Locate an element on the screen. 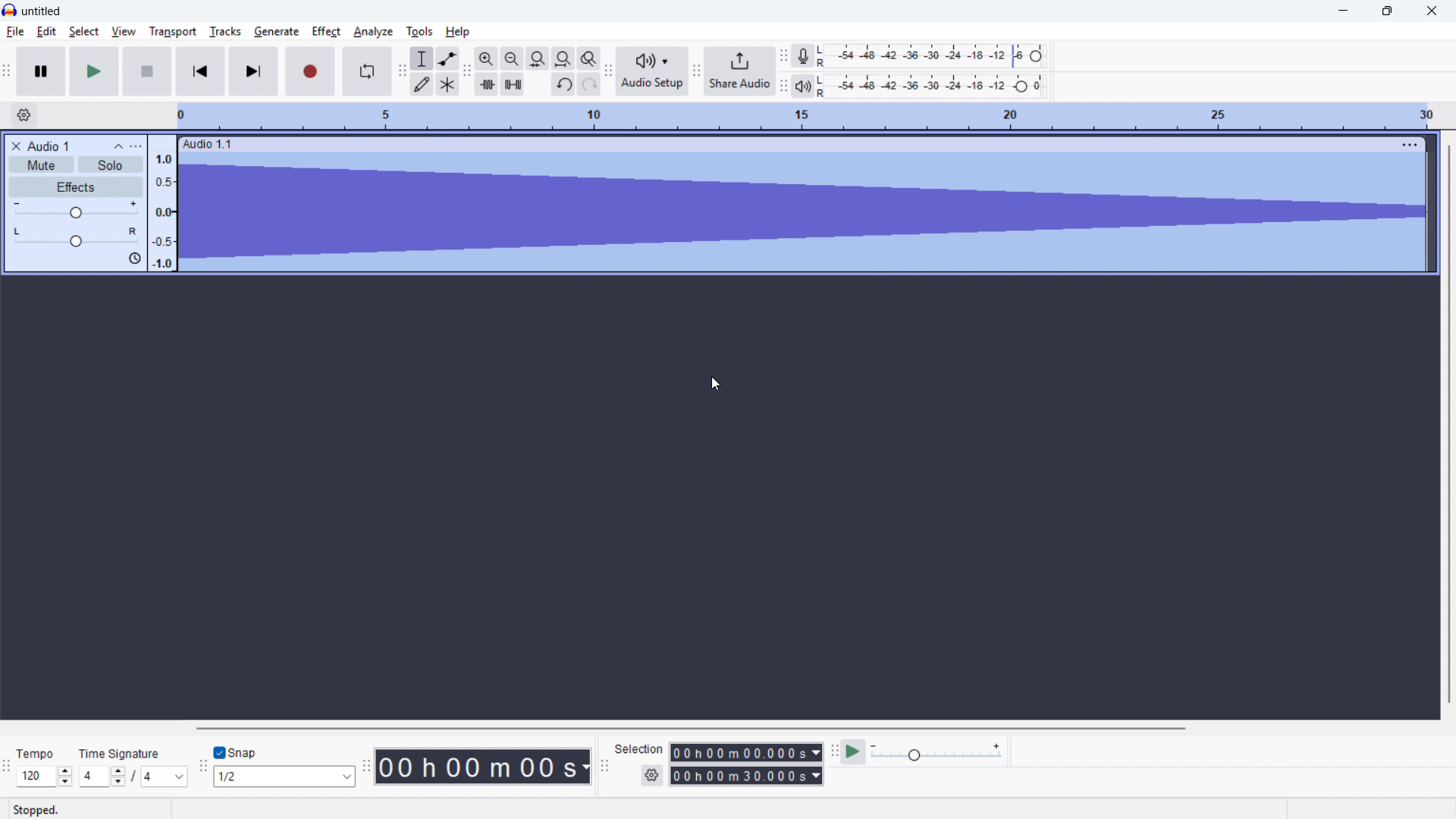 This screenshot has width=1456, height=819. time toolbar  is located at coordinates (366, 767).